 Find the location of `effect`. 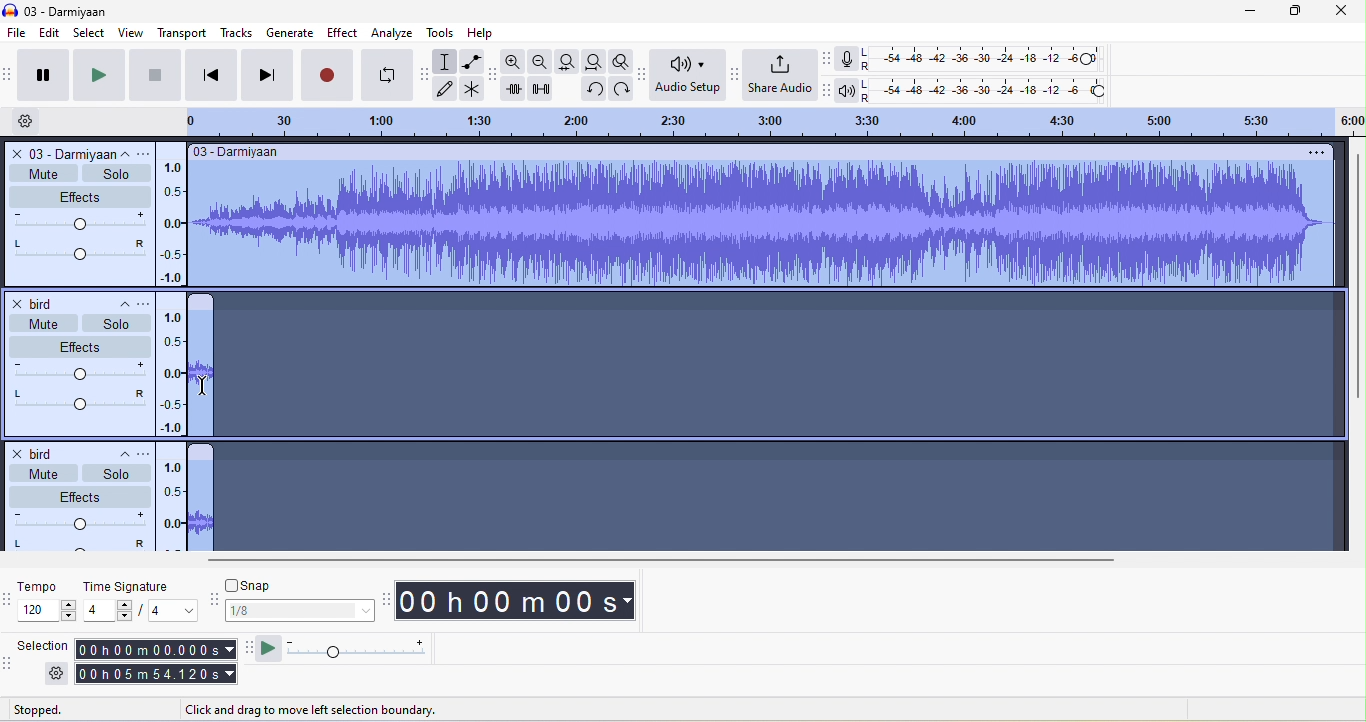

effect is located at coordinates (80, 347).